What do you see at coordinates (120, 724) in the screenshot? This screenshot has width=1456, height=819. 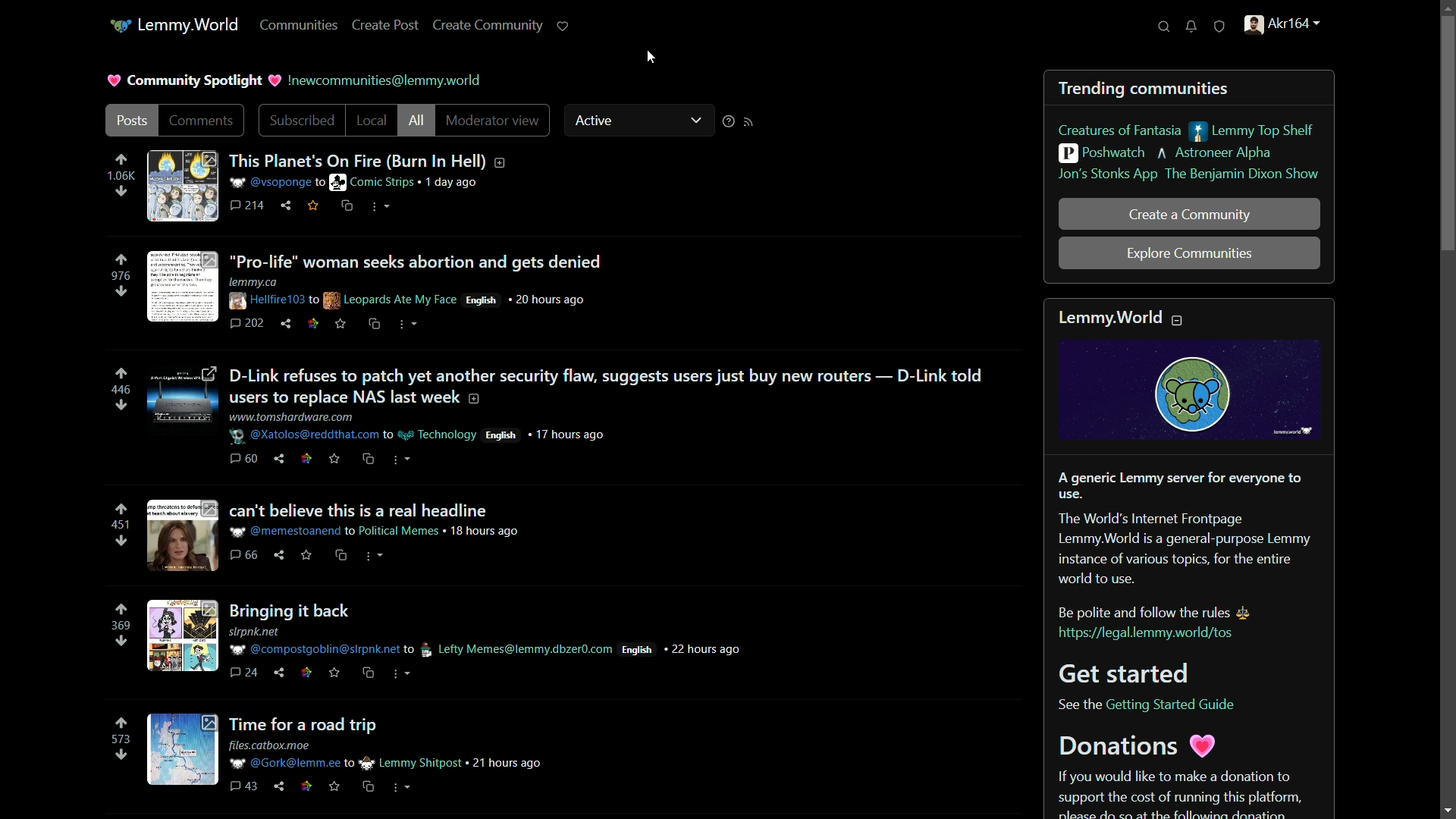 I see `upvote` at bounding box center [120, 724].